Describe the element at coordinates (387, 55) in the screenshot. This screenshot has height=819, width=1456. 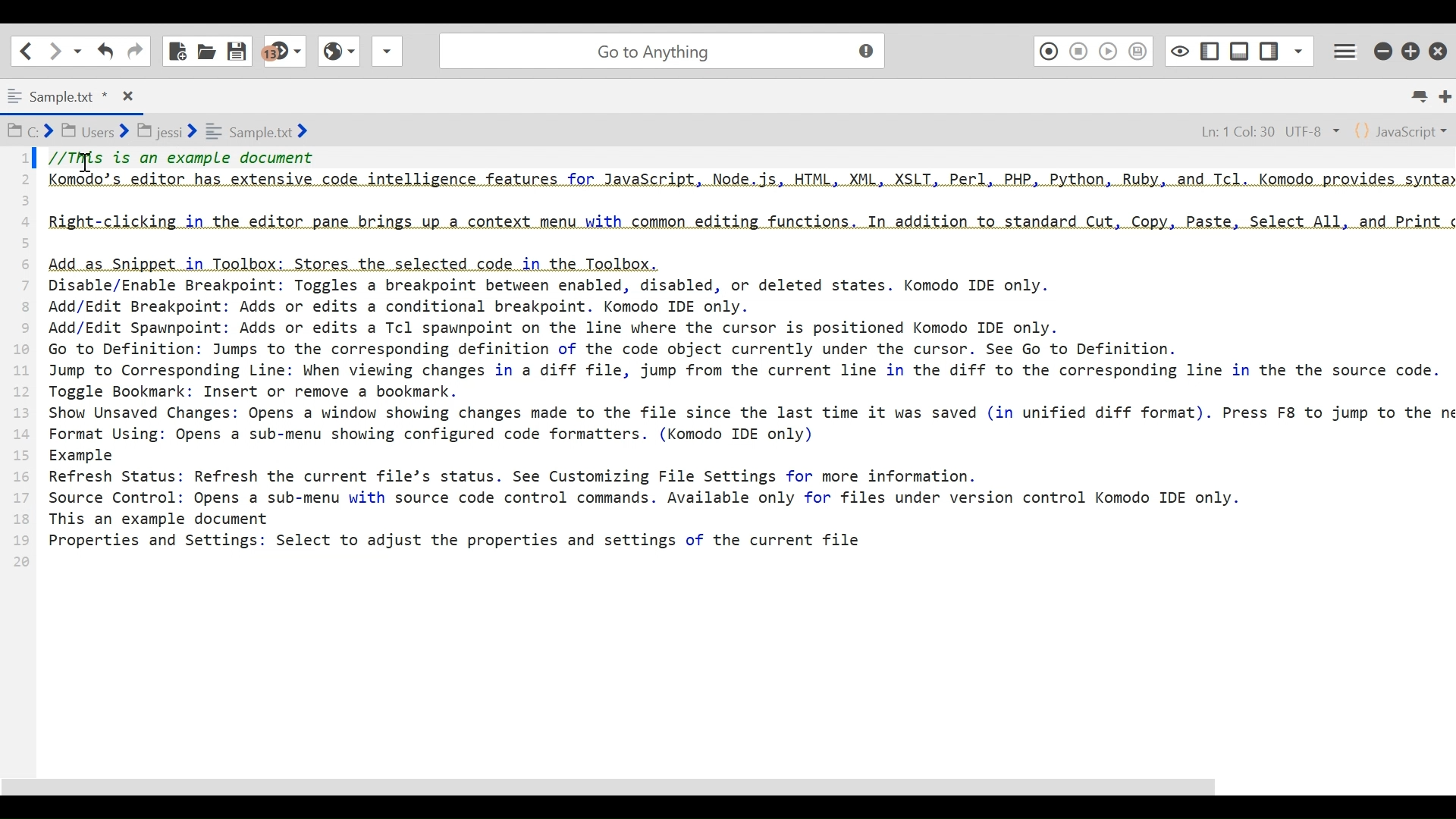
I see `dropdown` at that location.